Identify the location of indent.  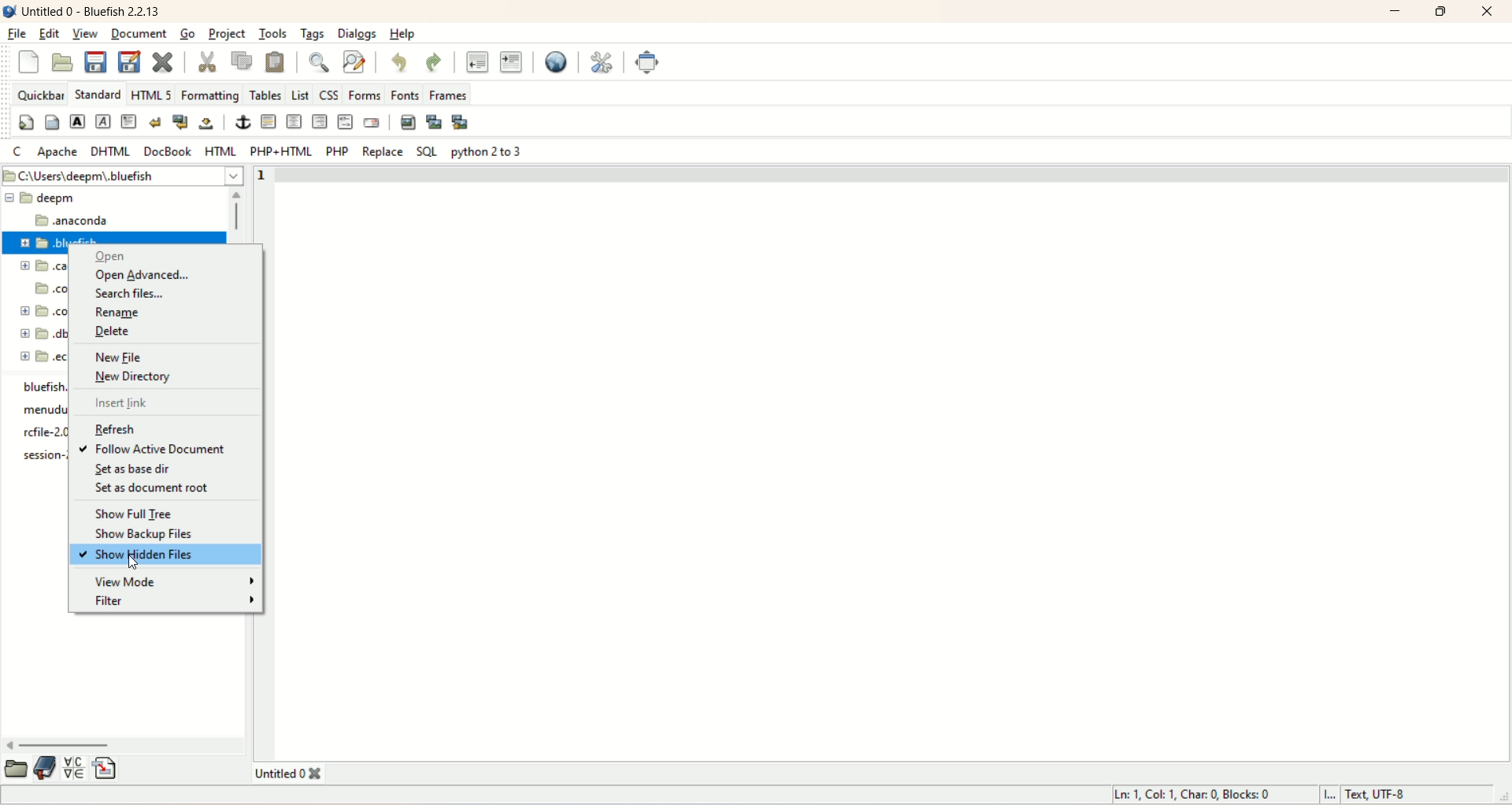
(511, 63).